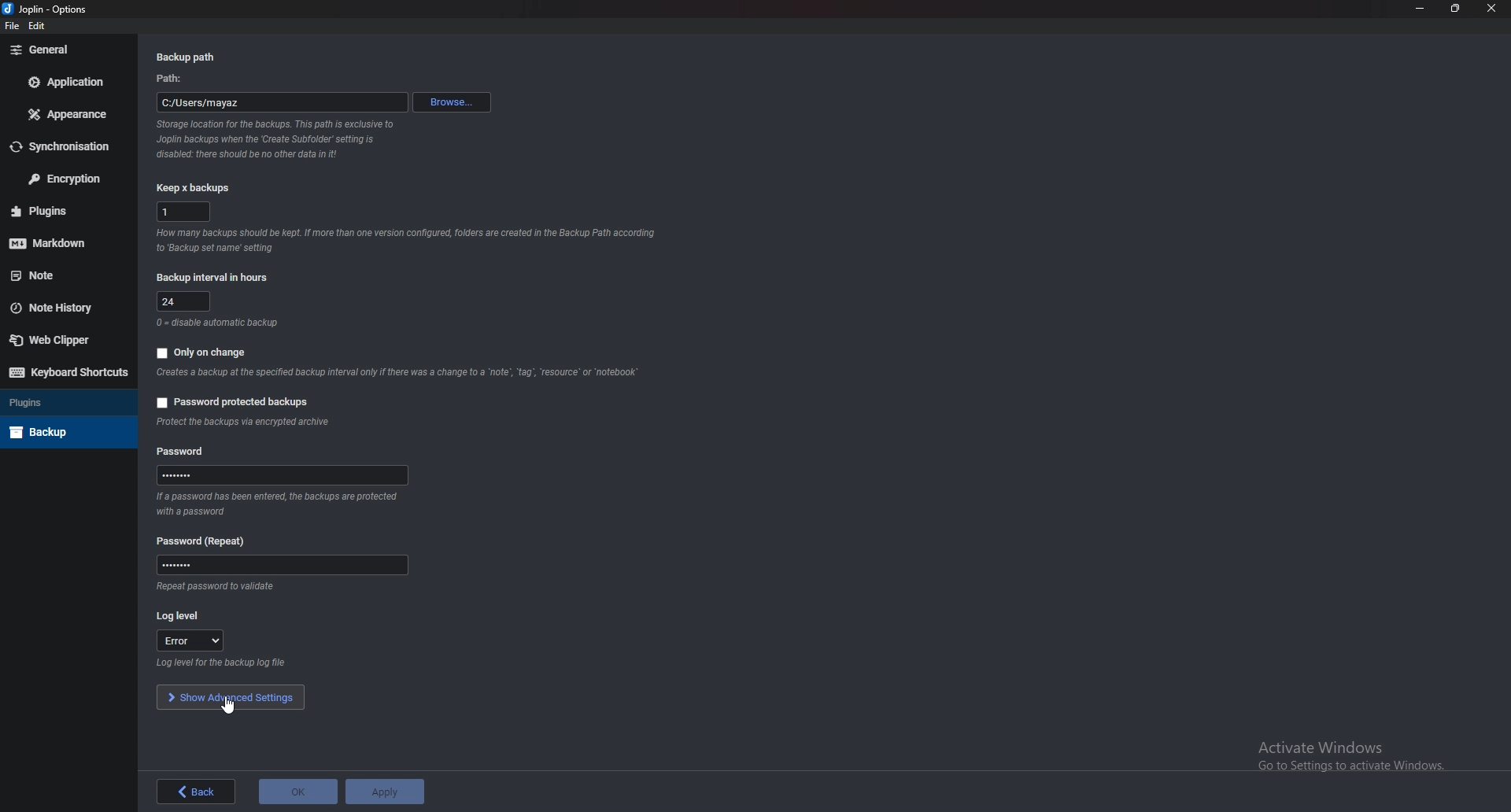 Image resolution: width=1511 pixels, height=812 pixels. Describe the element at coordinates (185, 301) in the screenshot. I see `24 Hours` at that location.